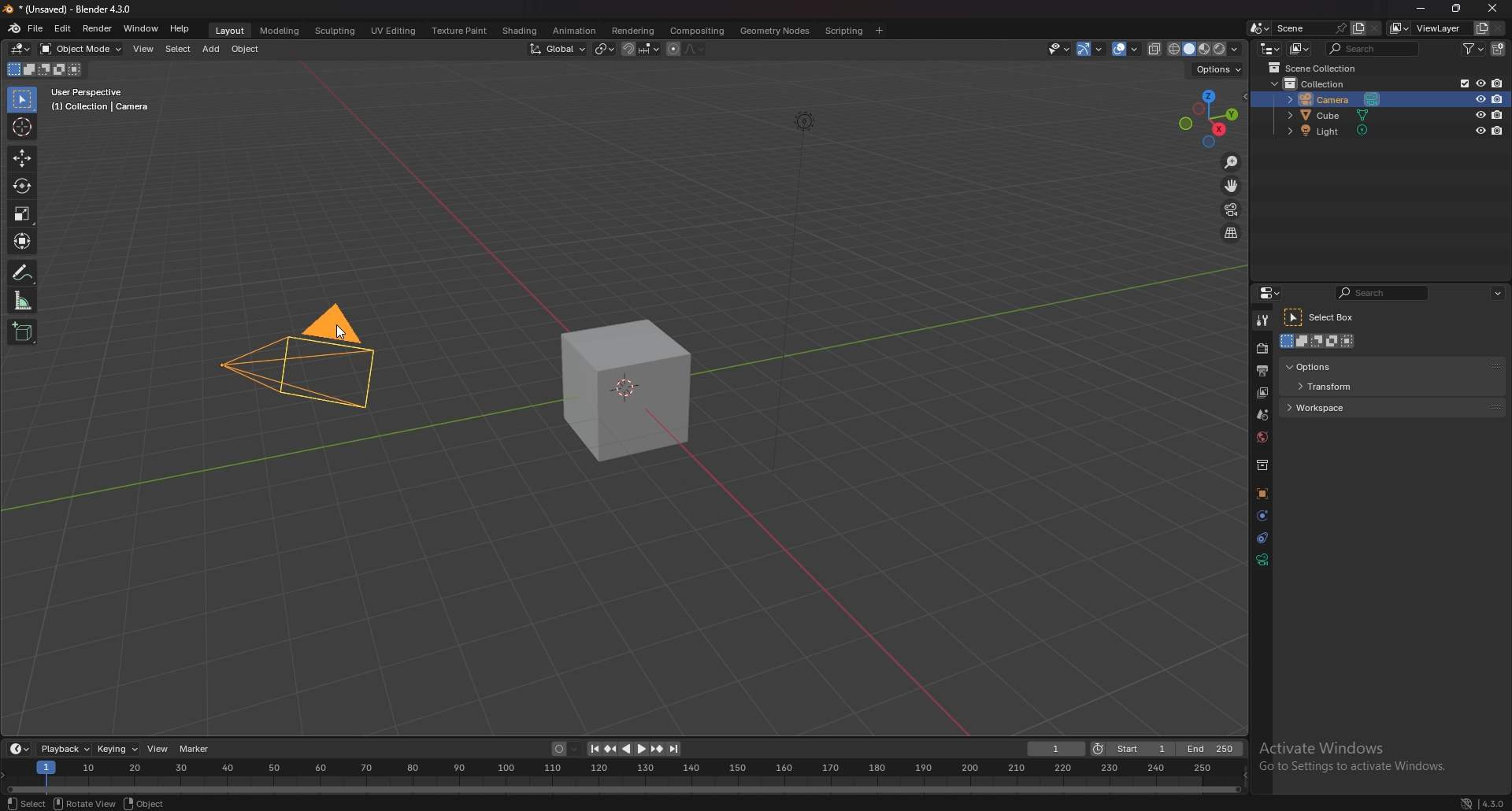 Image resolution: width=1512 pixels, height=811 pixels. I want to click on add scene, so click(1357, 29).